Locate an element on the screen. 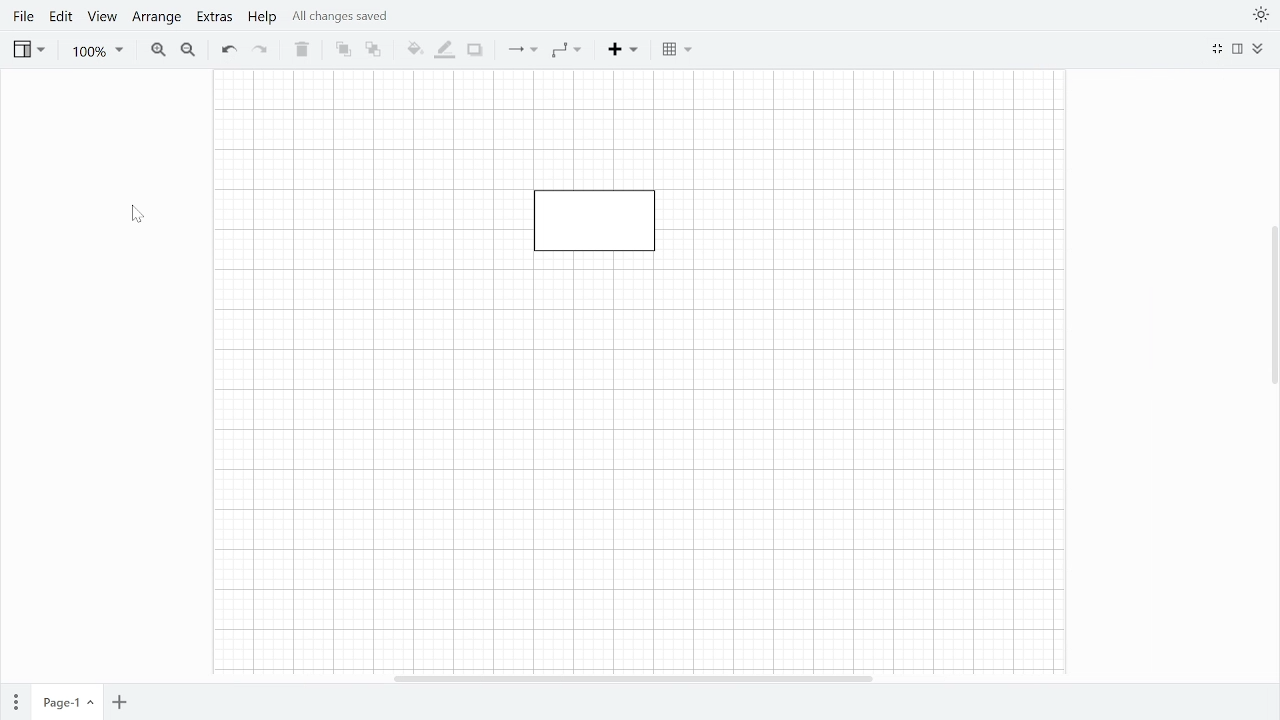 This screenshot has height=720, width=1280. To back is located at coordinates (373, 51).